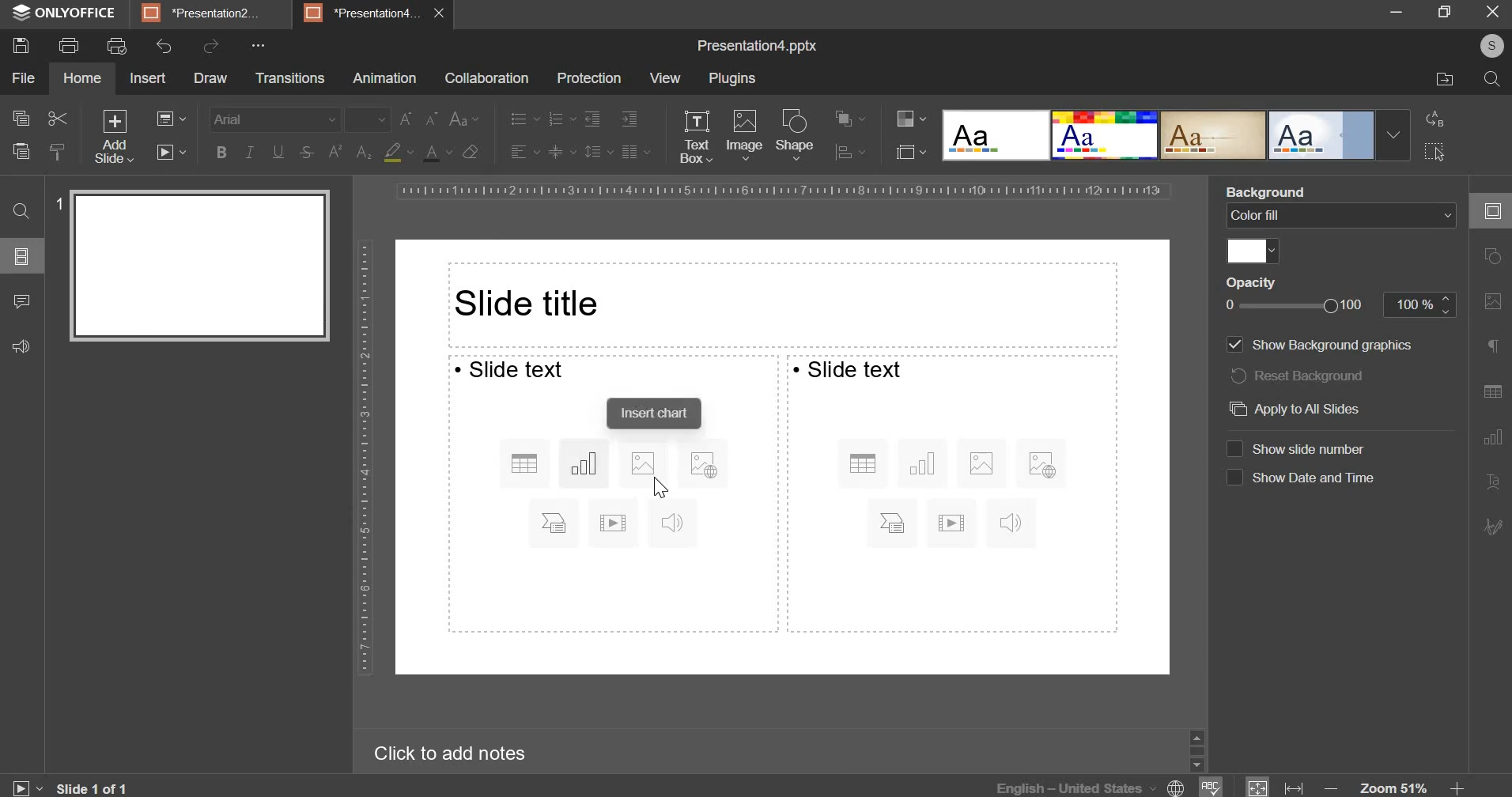  I want to click on draw, so click(211, 77).